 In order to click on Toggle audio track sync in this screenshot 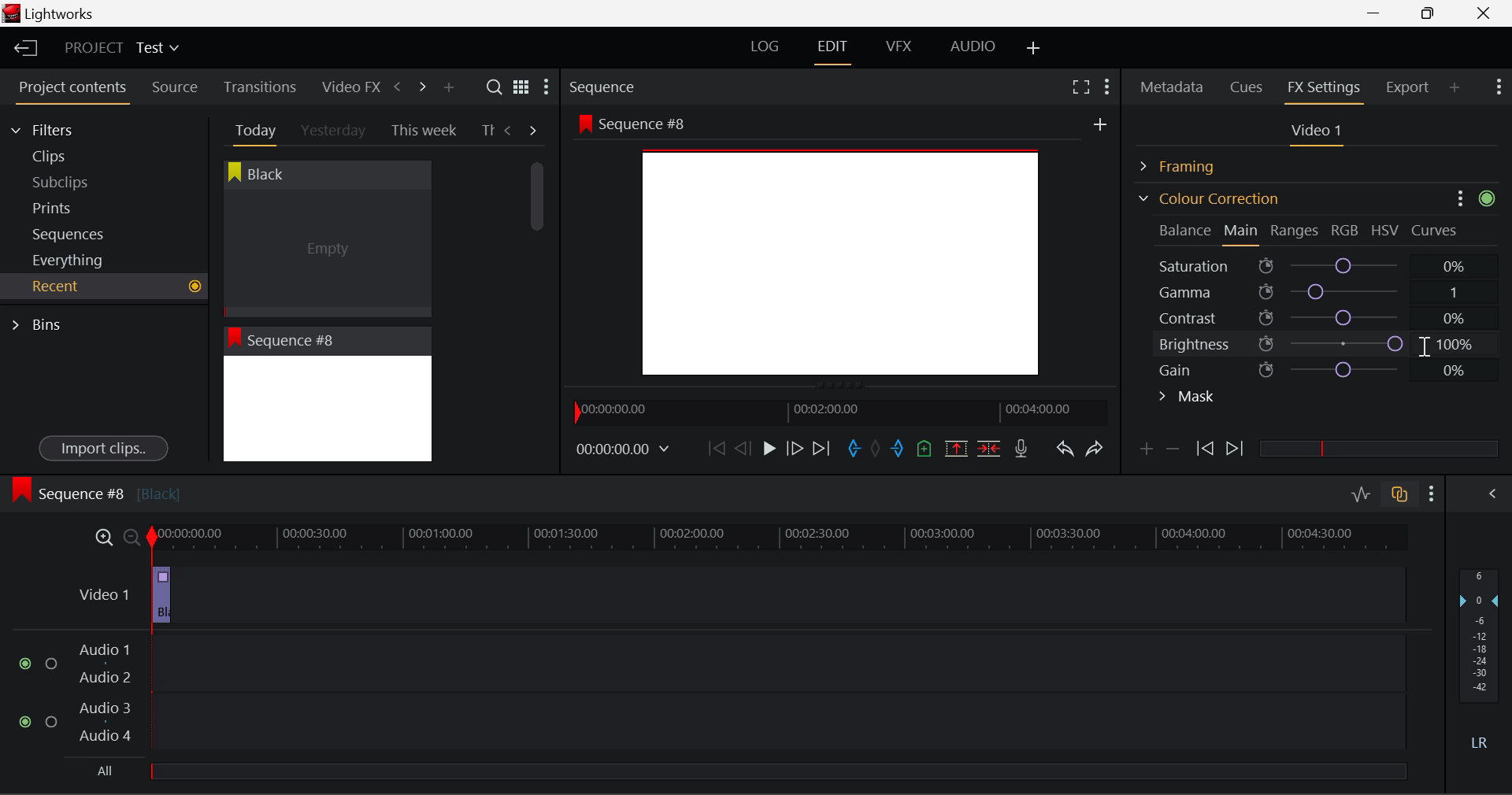, I will do `click(1400, 493)`.